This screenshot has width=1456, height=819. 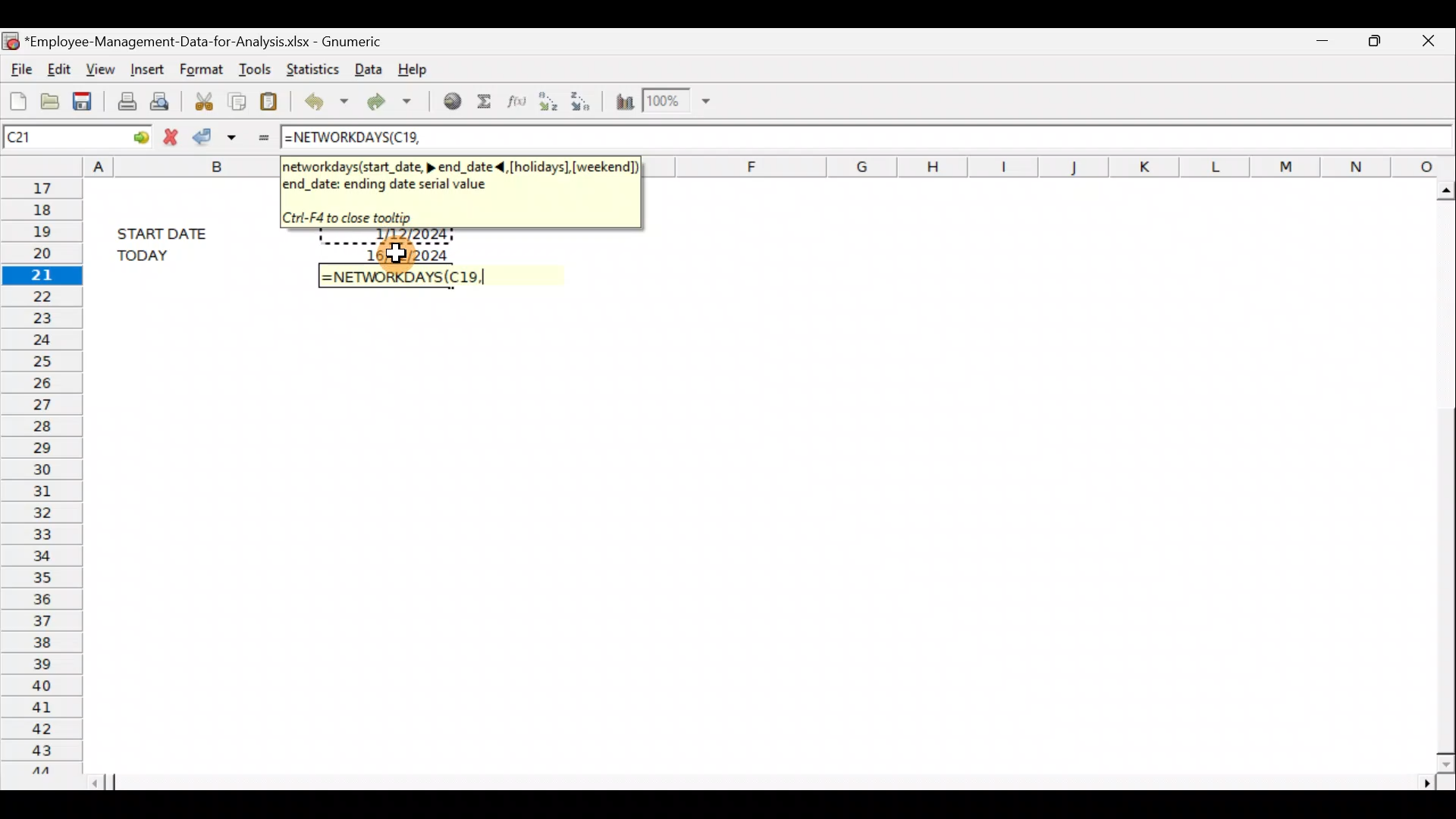 What do you see at coordinates (49, 99) in the screenshot?
I see `Open a file` at bounding box center [49, 99].